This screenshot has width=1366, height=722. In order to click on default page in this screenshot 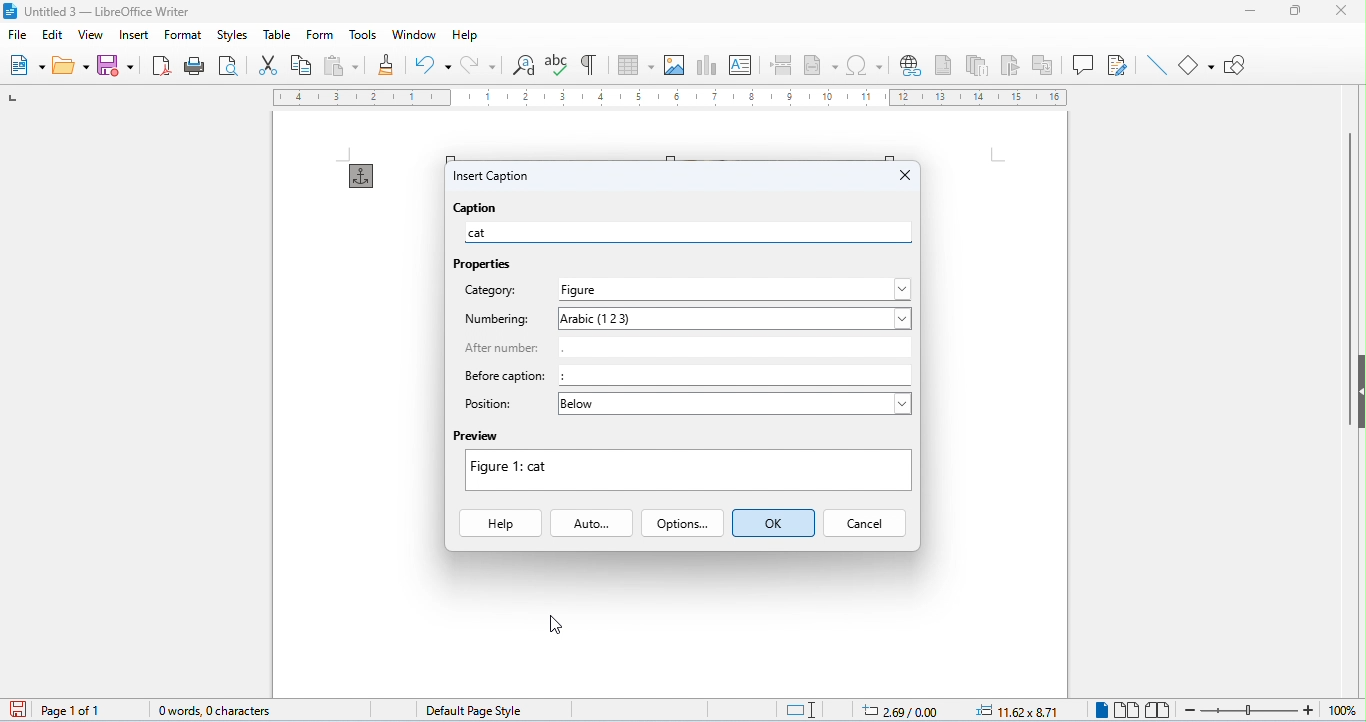, I will do `click(472, 709)`.